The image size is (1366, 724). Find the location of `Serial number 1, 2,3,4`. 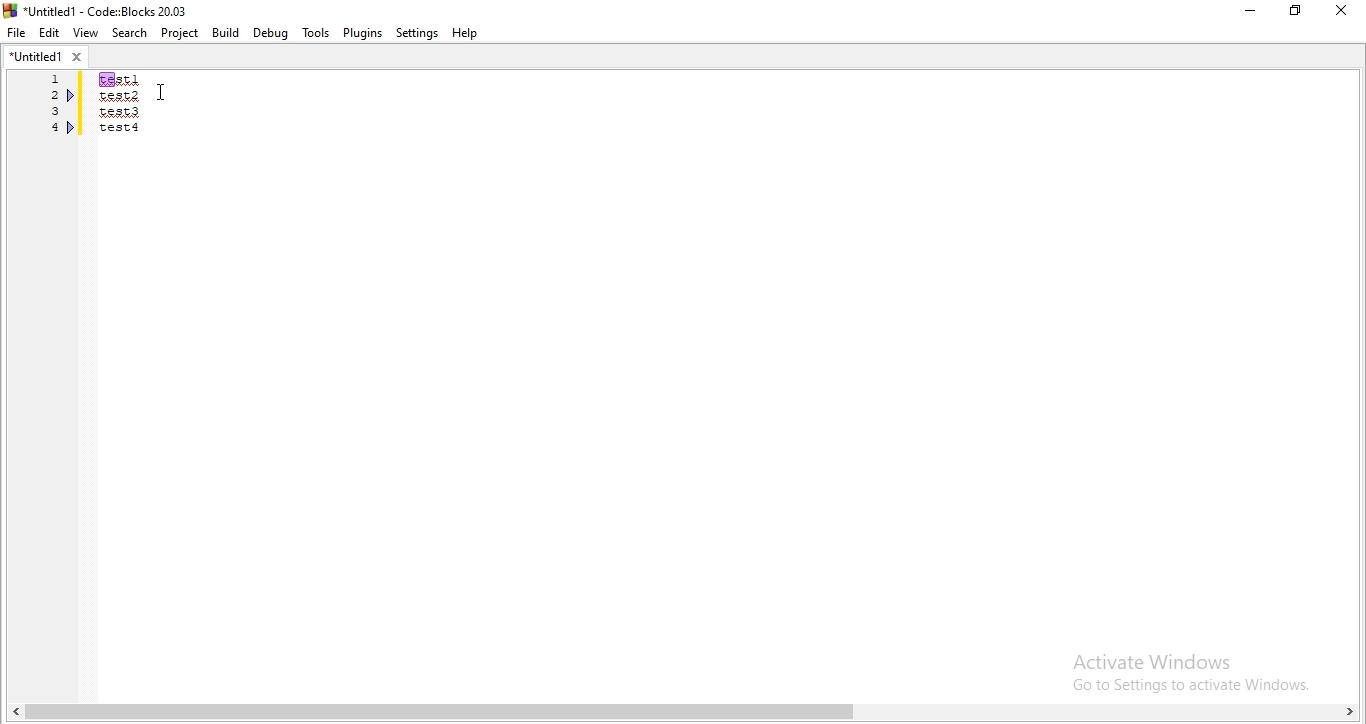

Serial number 1, 2,3,4 is located at coordinates (52, 107).